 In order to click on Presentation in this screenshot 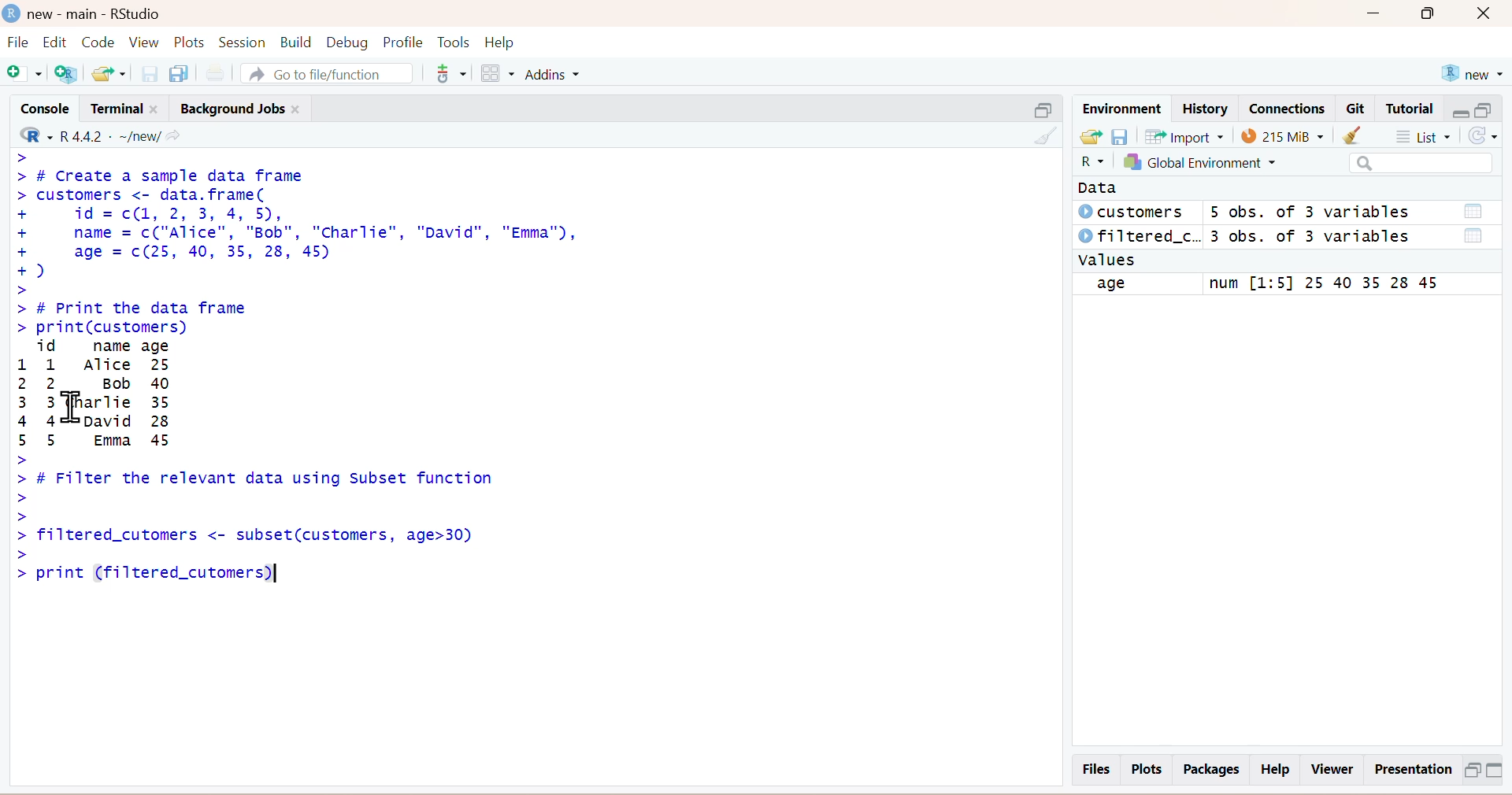, I will do `click(1410, 770)`.